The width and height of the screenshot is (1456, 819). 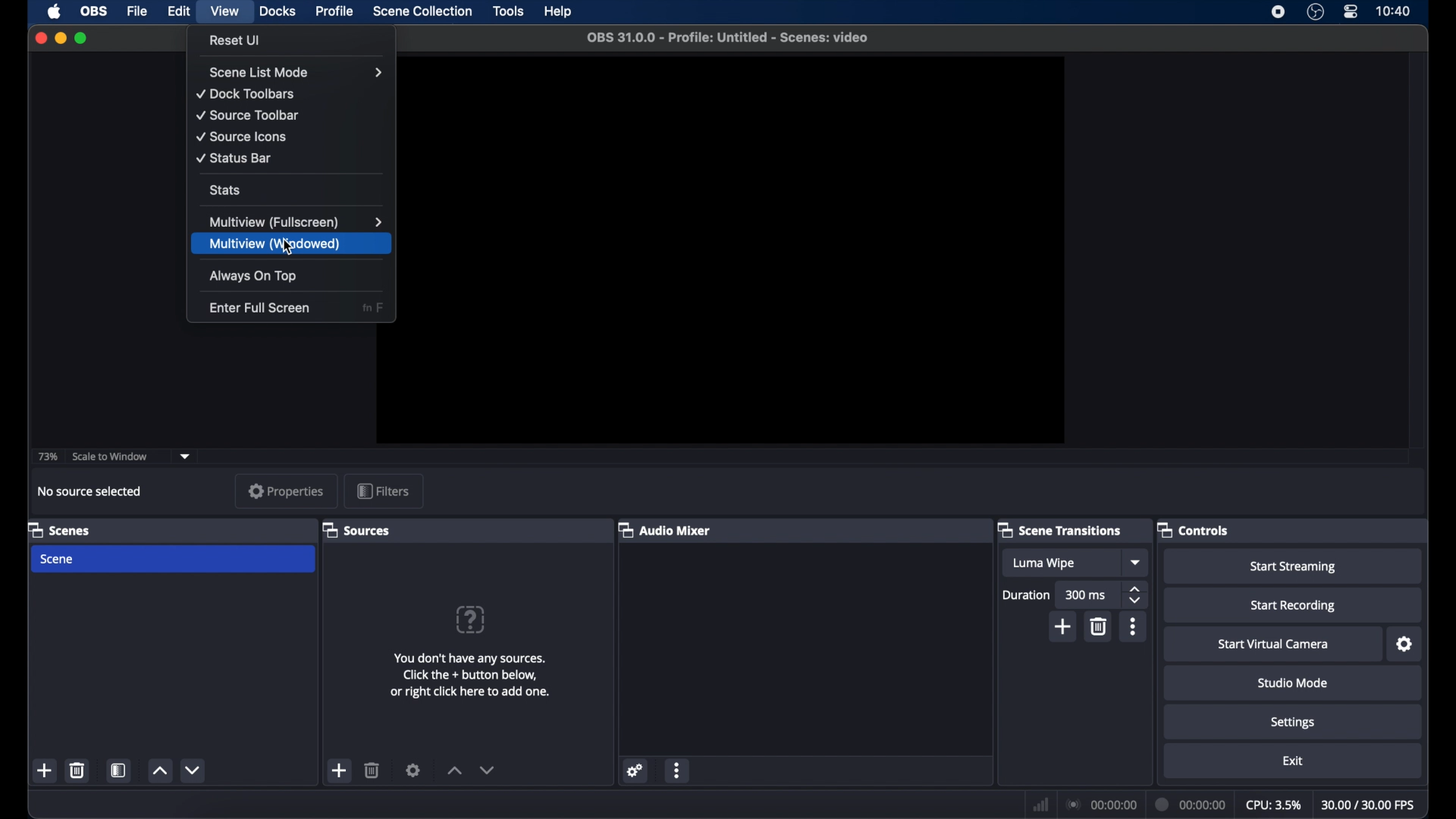 What do you see at coordinates (281, 491) in the screenshot?
I see `properties` at bounding box center [281, 491].